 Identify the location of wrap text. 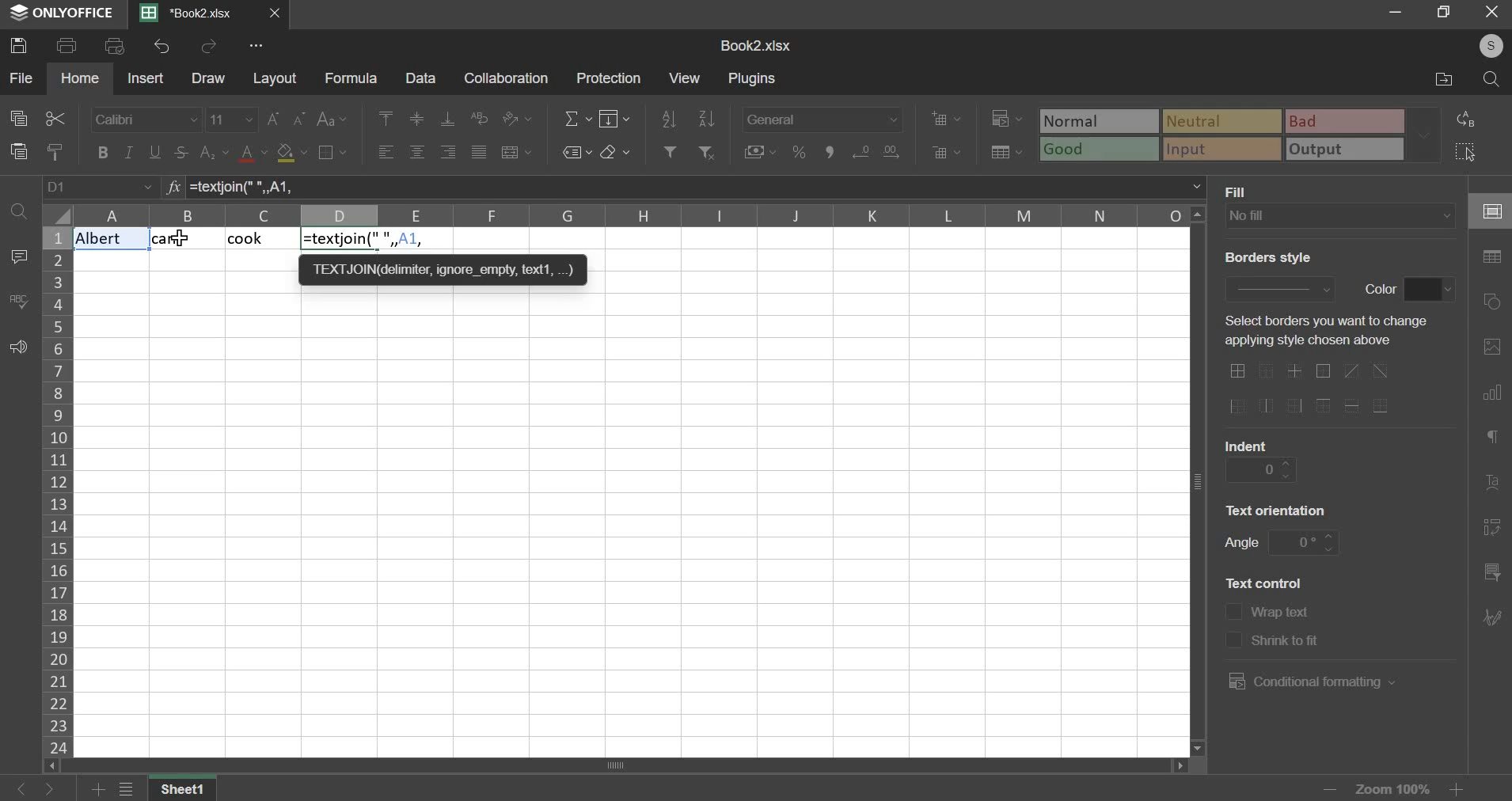
(481, 116).